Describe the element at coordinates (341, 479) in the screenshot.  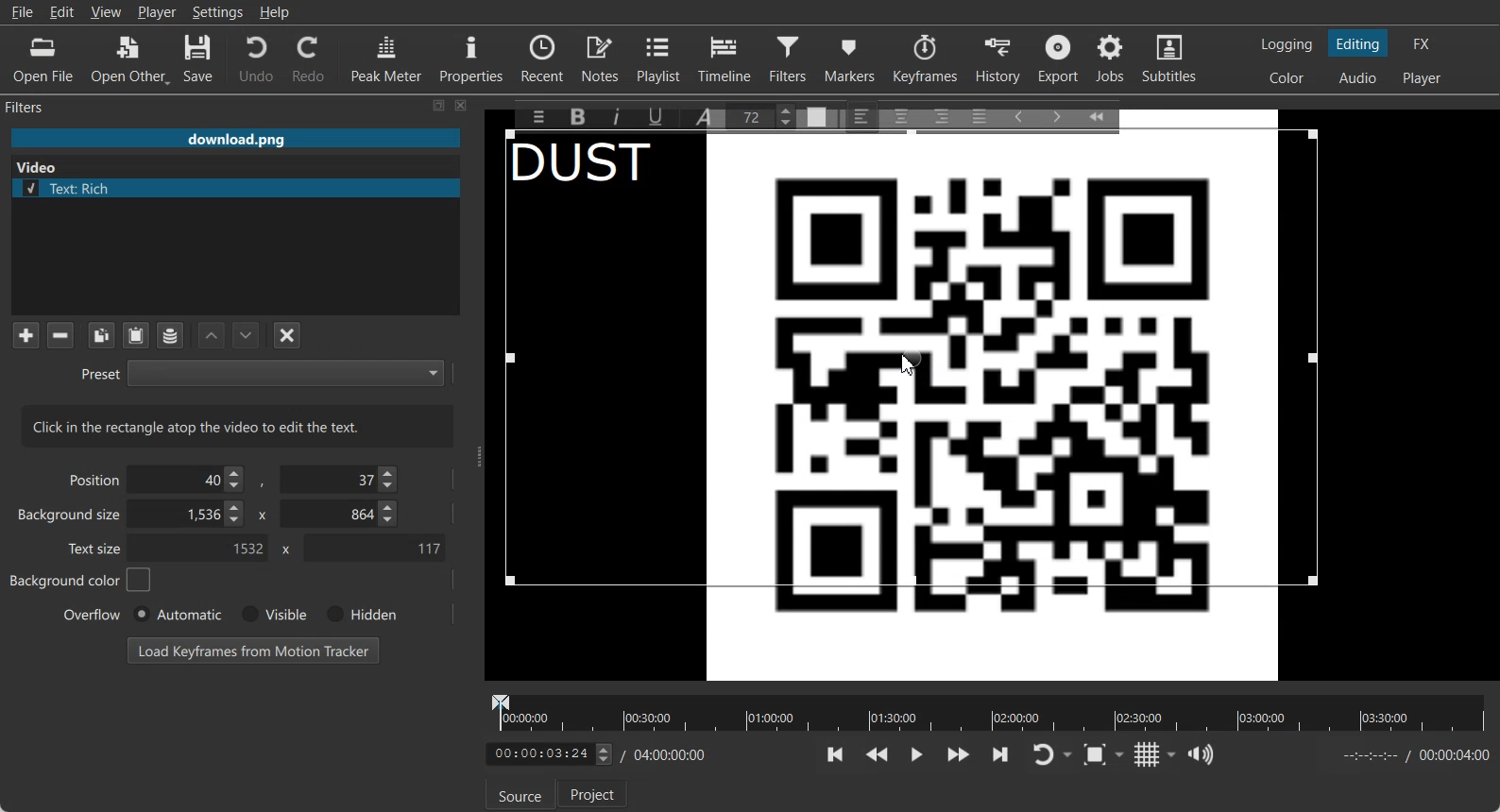
I see `Position Y- Coordinate` at that location.